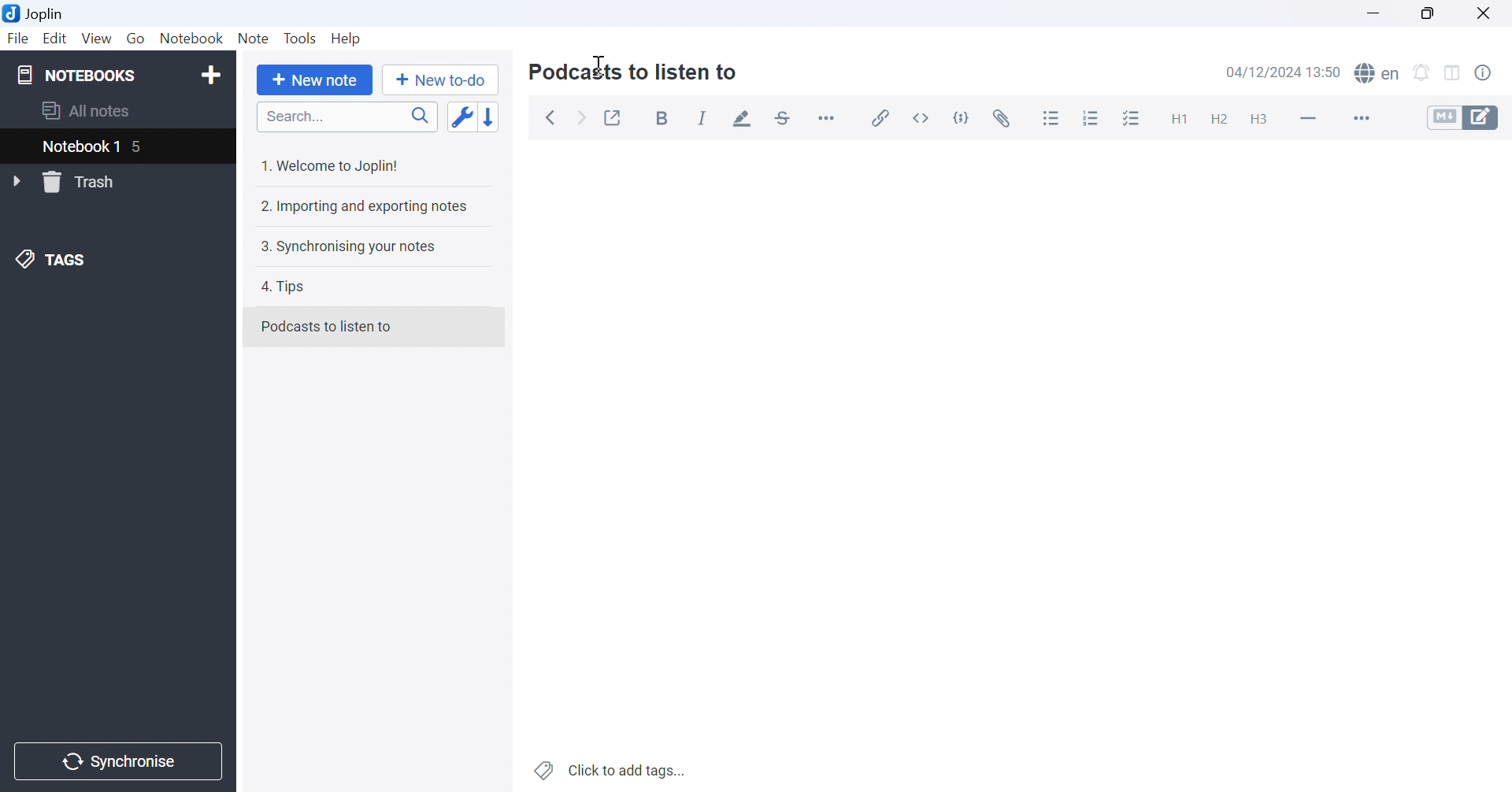 The width and height of the screenshot is (1512, 792). What do you see at coordinates (56, 39) in the screenshot?
I see `Edit` at bounding box center [56, 39].